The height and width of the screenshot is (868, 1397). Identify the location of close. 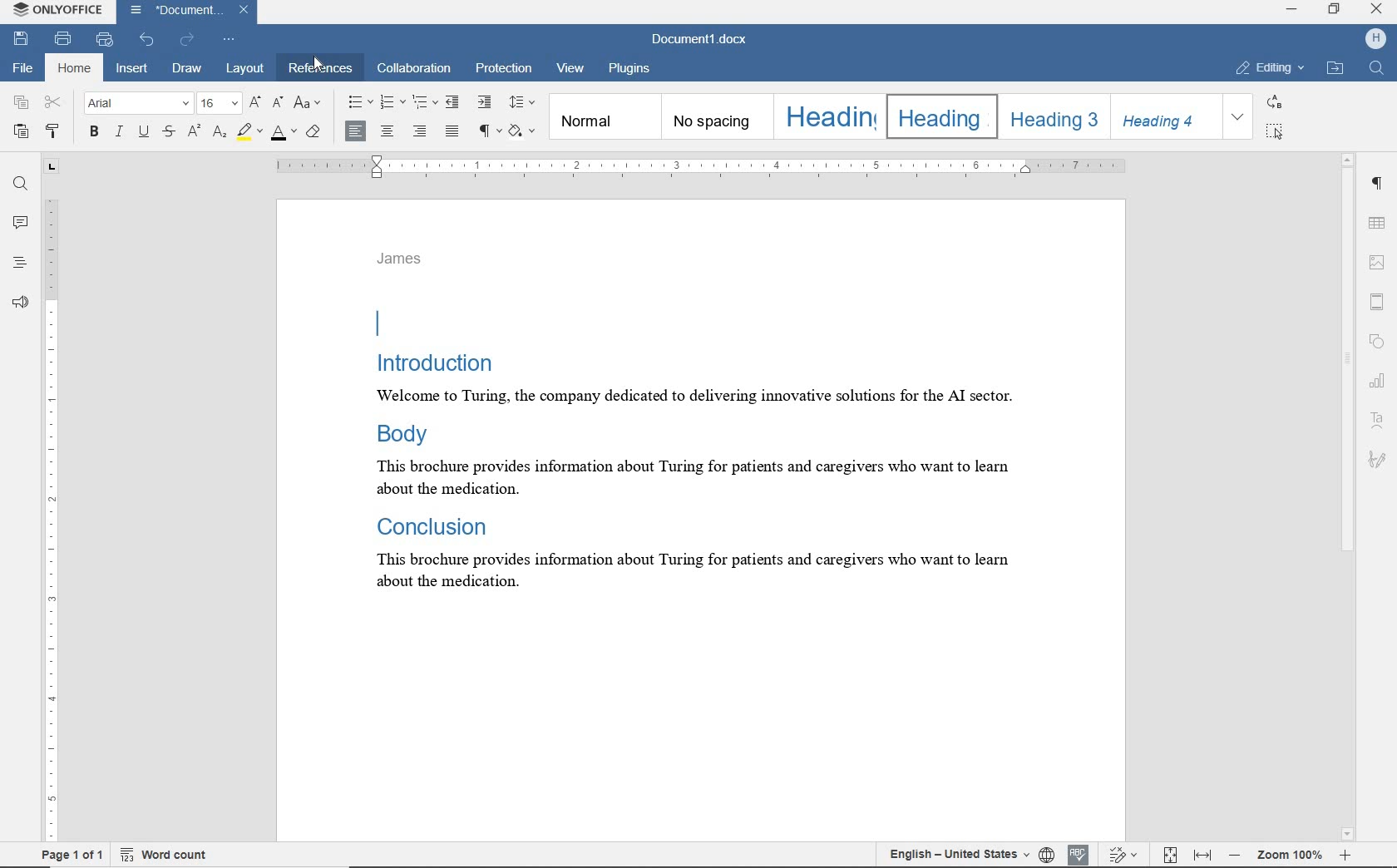
(1377, 11).